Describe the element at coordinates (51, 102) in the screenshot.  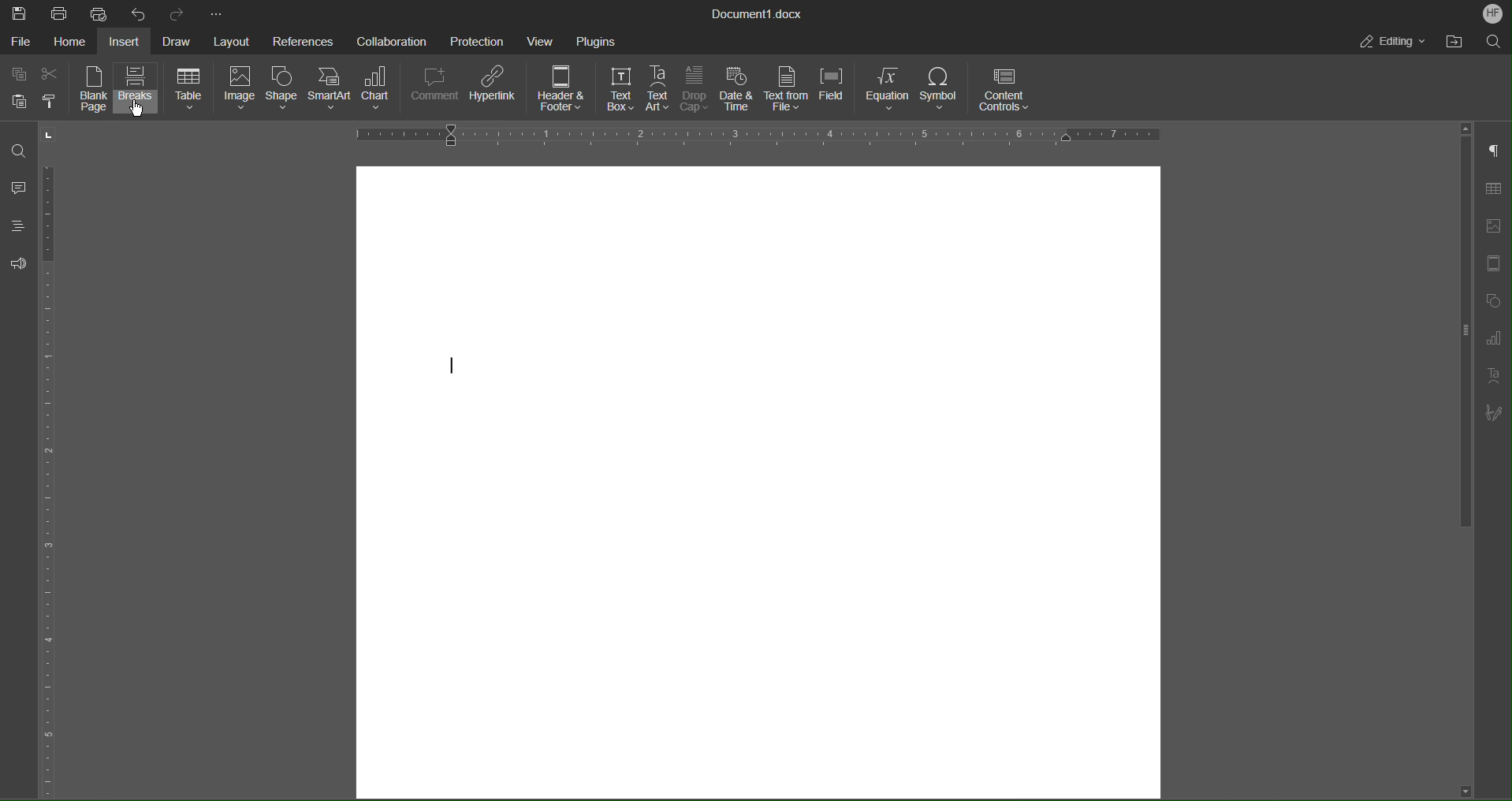
I see `Copy Style` at that location.